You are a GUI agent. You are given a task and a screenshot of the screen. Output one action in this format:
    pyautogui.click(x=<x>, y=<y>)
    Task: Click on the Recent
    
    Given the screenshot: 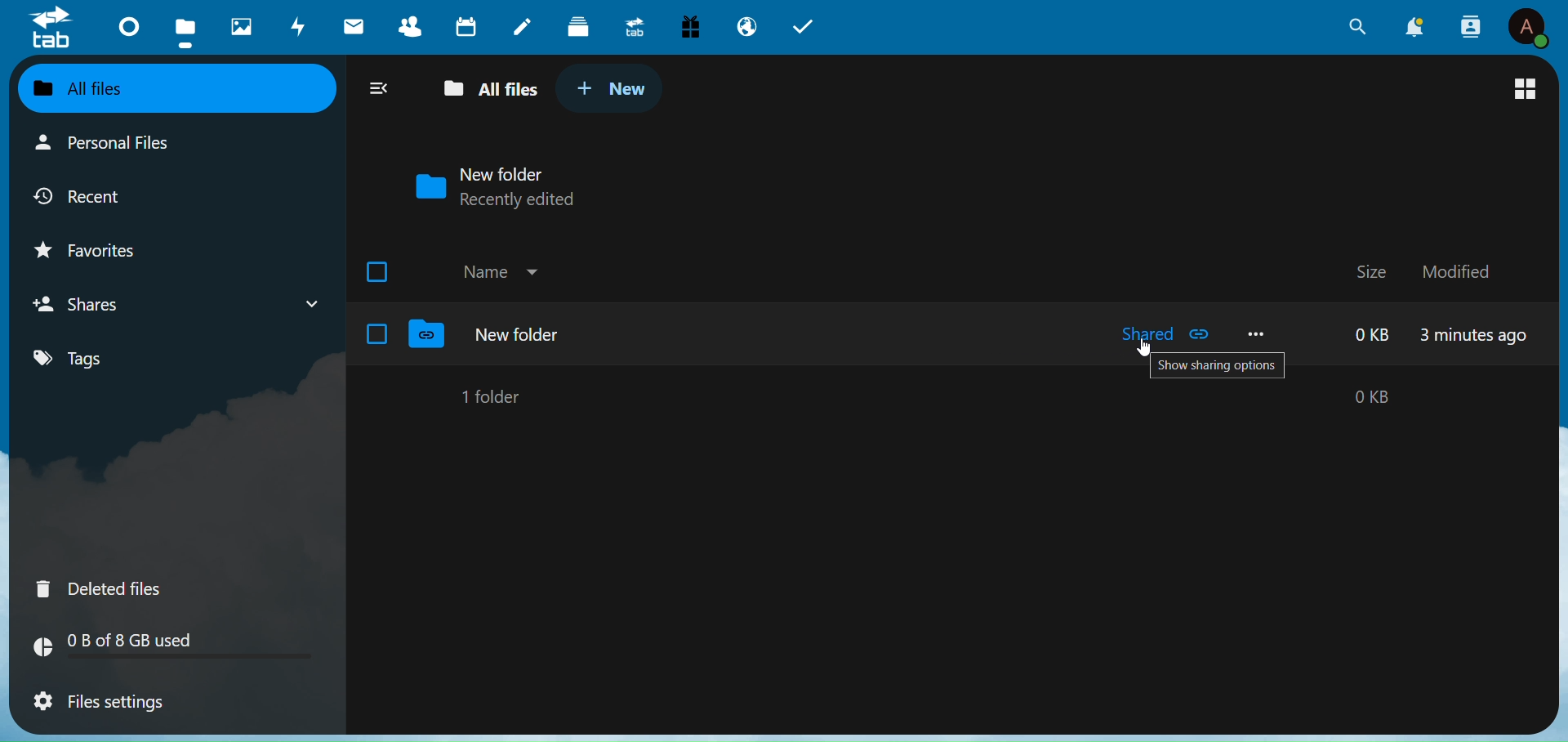 What is the action you would take?
    pyautogui.click(x=97, y=194)
    